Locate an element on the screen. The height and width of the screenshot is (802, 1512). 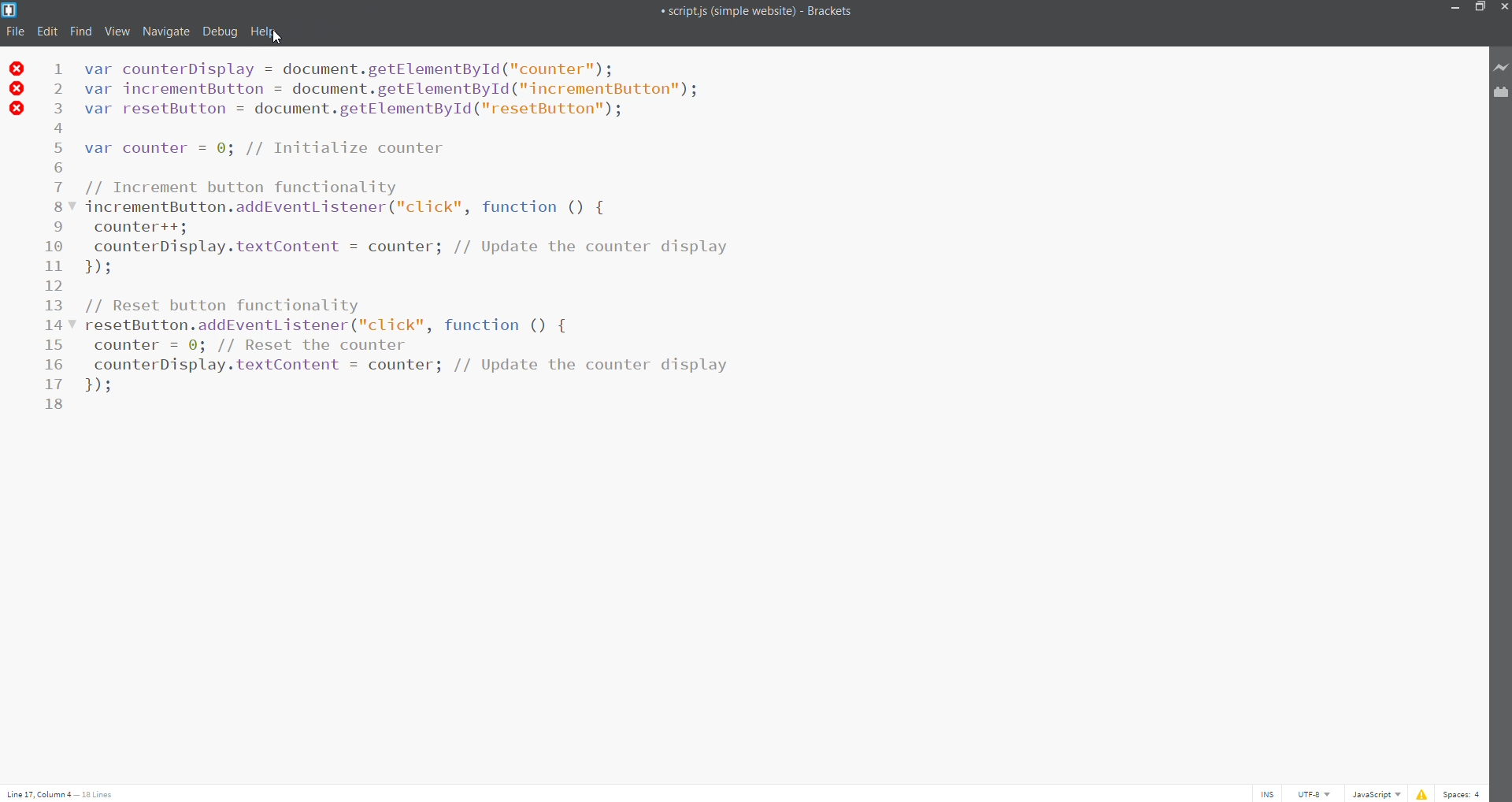
Script.JS (Simple website) - Brackets is located at coordinates (729, 9).